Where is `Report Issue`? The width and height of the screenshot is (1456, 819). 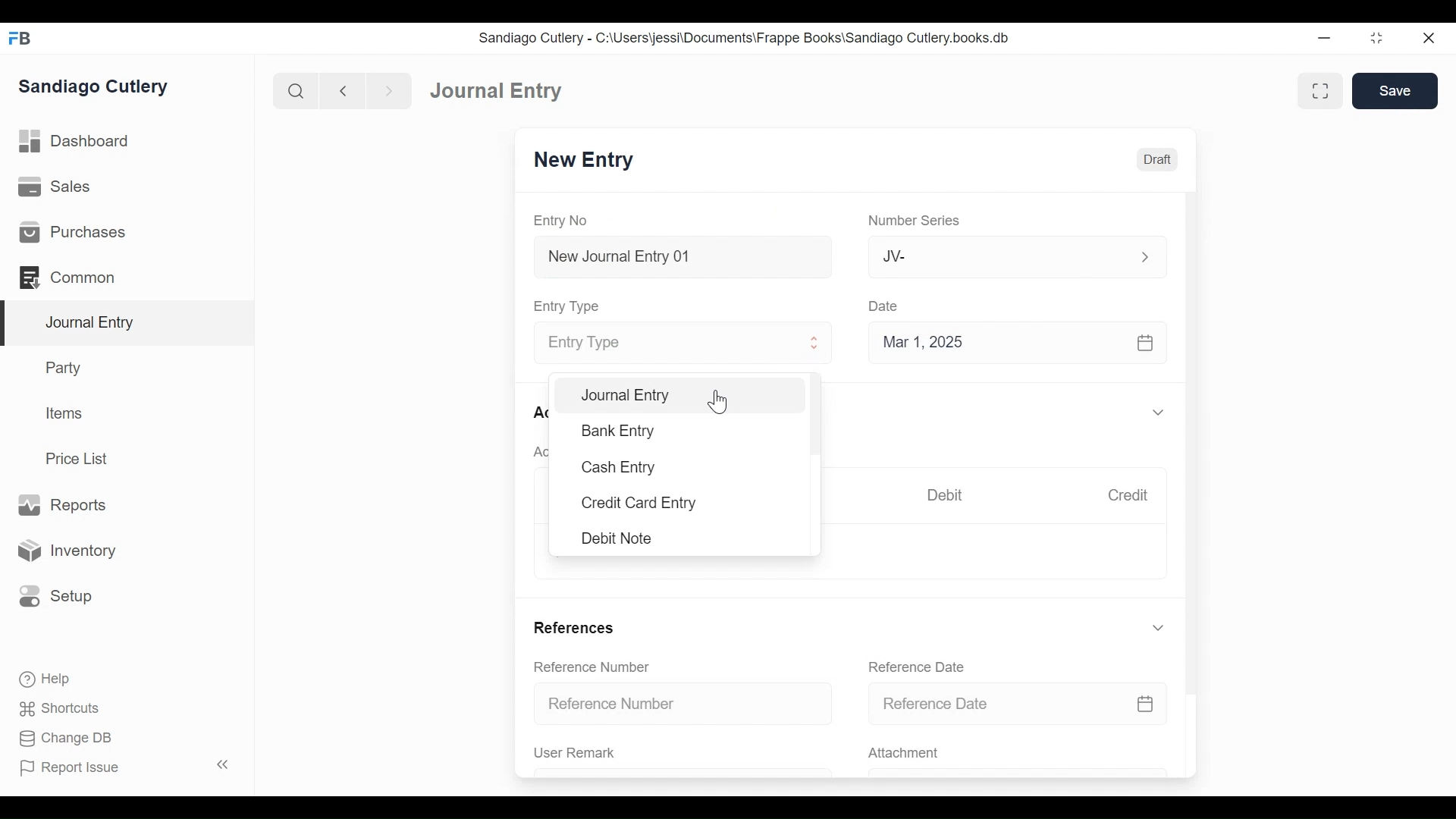
Report Issue is located at coordinates (76, 769).